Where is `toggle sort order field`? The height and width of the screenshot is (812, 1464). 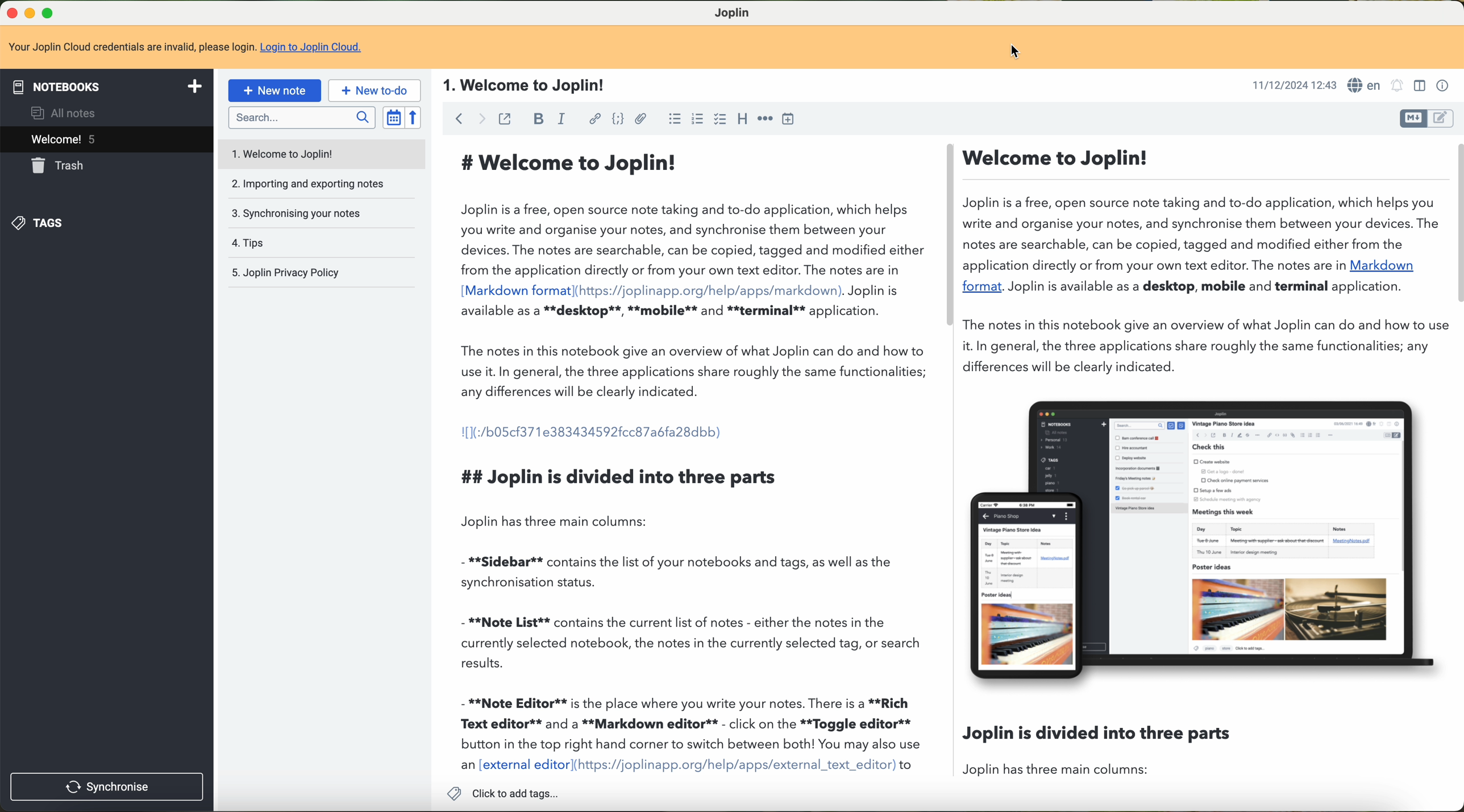
toggle sort order field is located at coordinates (393, 118).